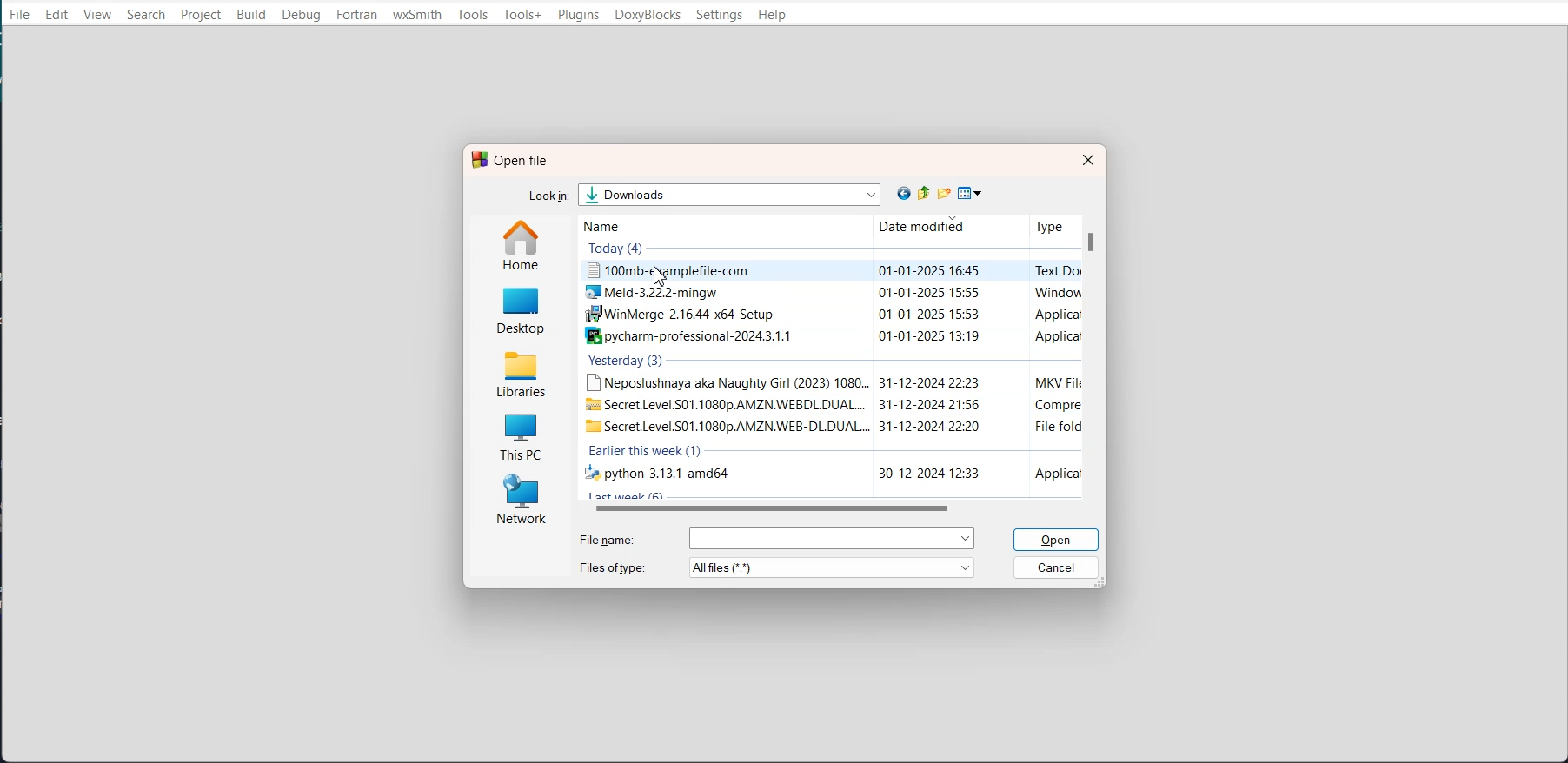 This screenshot has height=763, width=1568. Describe the element at coordinates (1059, 540) in the screenshot. I see `Open` at that location.